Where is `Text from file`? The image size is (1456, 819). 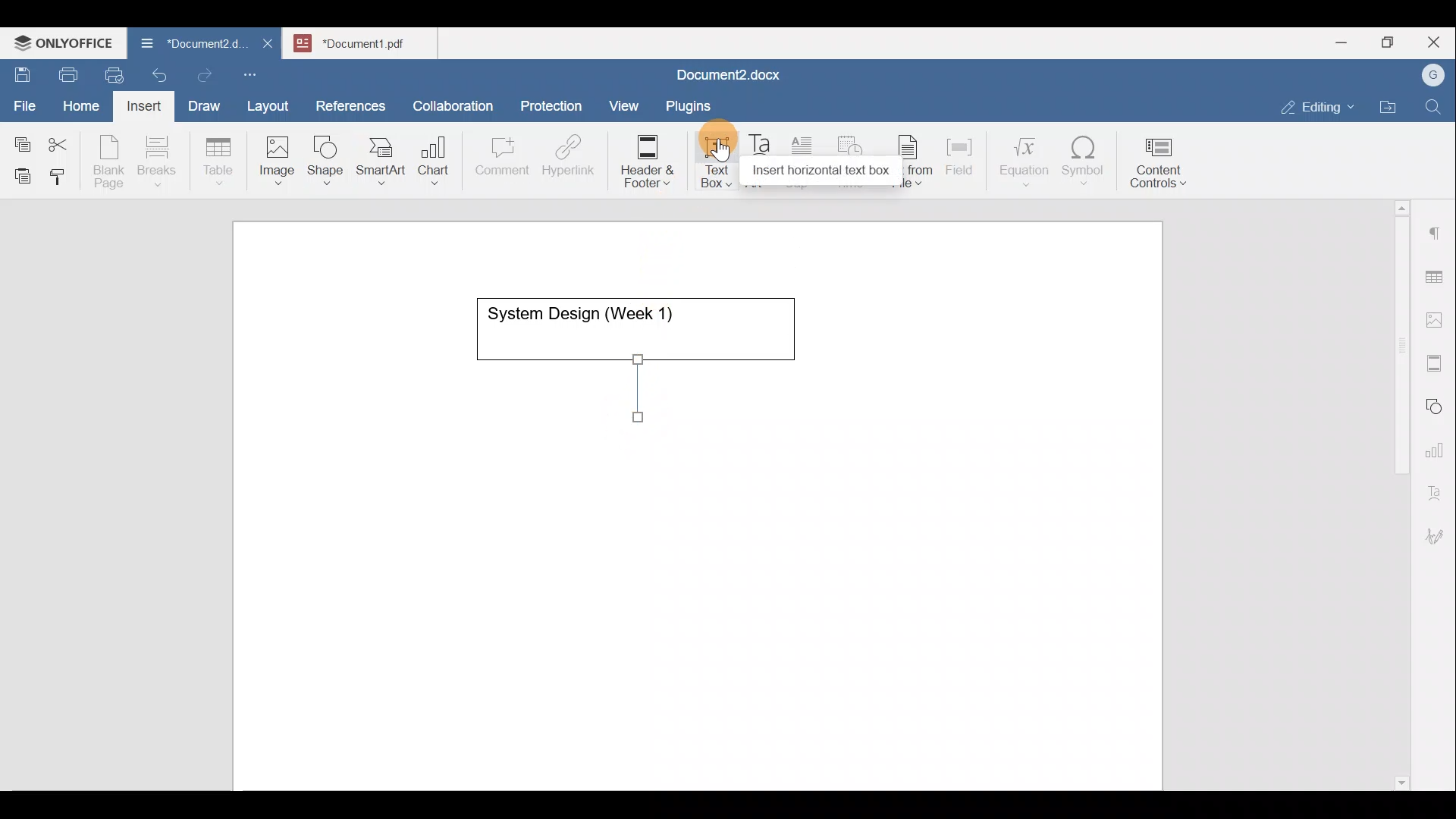 Text from file is located at coordinates (910, 160).